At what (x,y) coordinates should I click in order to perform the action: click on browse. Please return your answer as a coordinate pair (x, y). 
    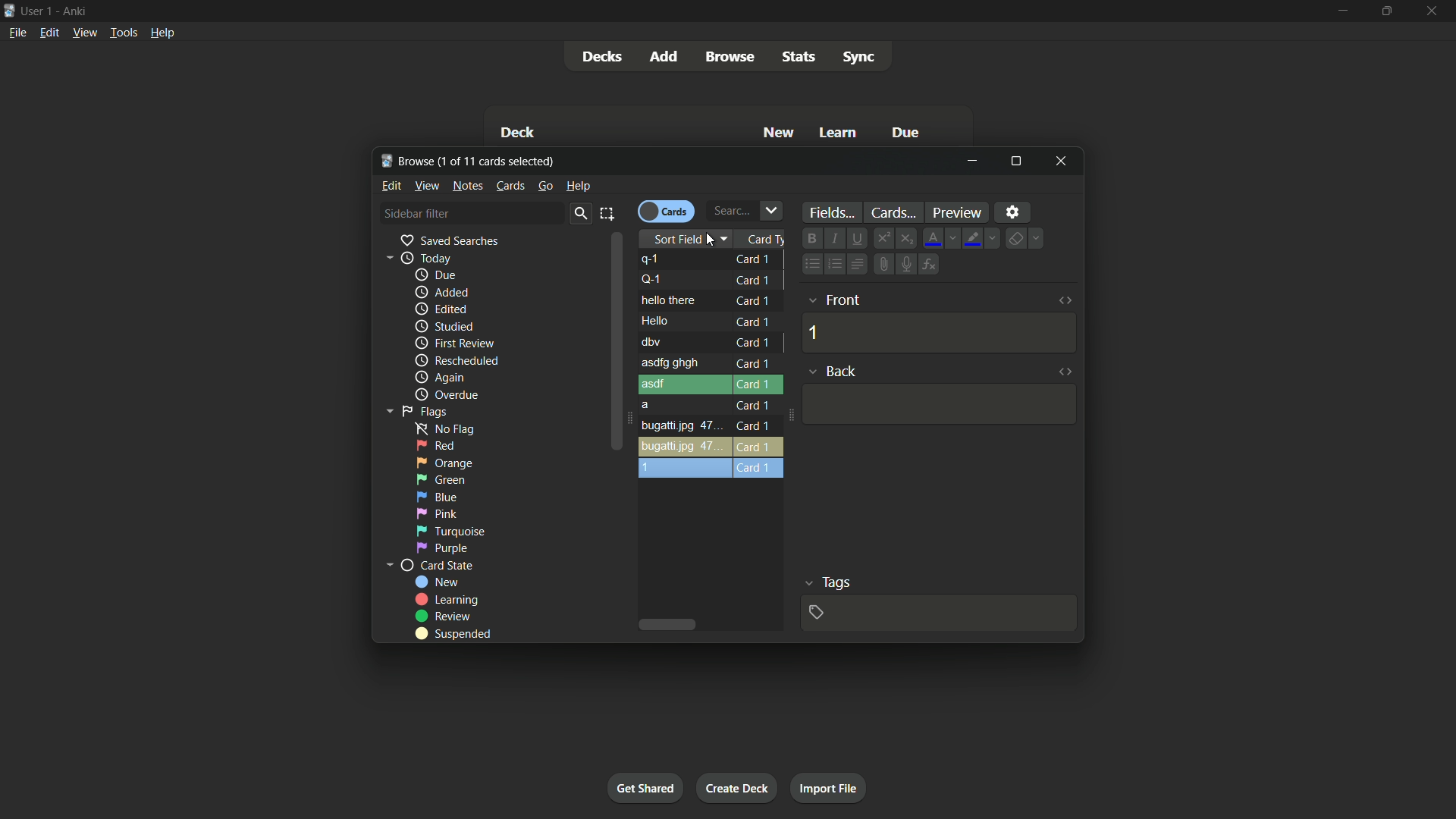
    Looking at the image, I should click on (730, 58).